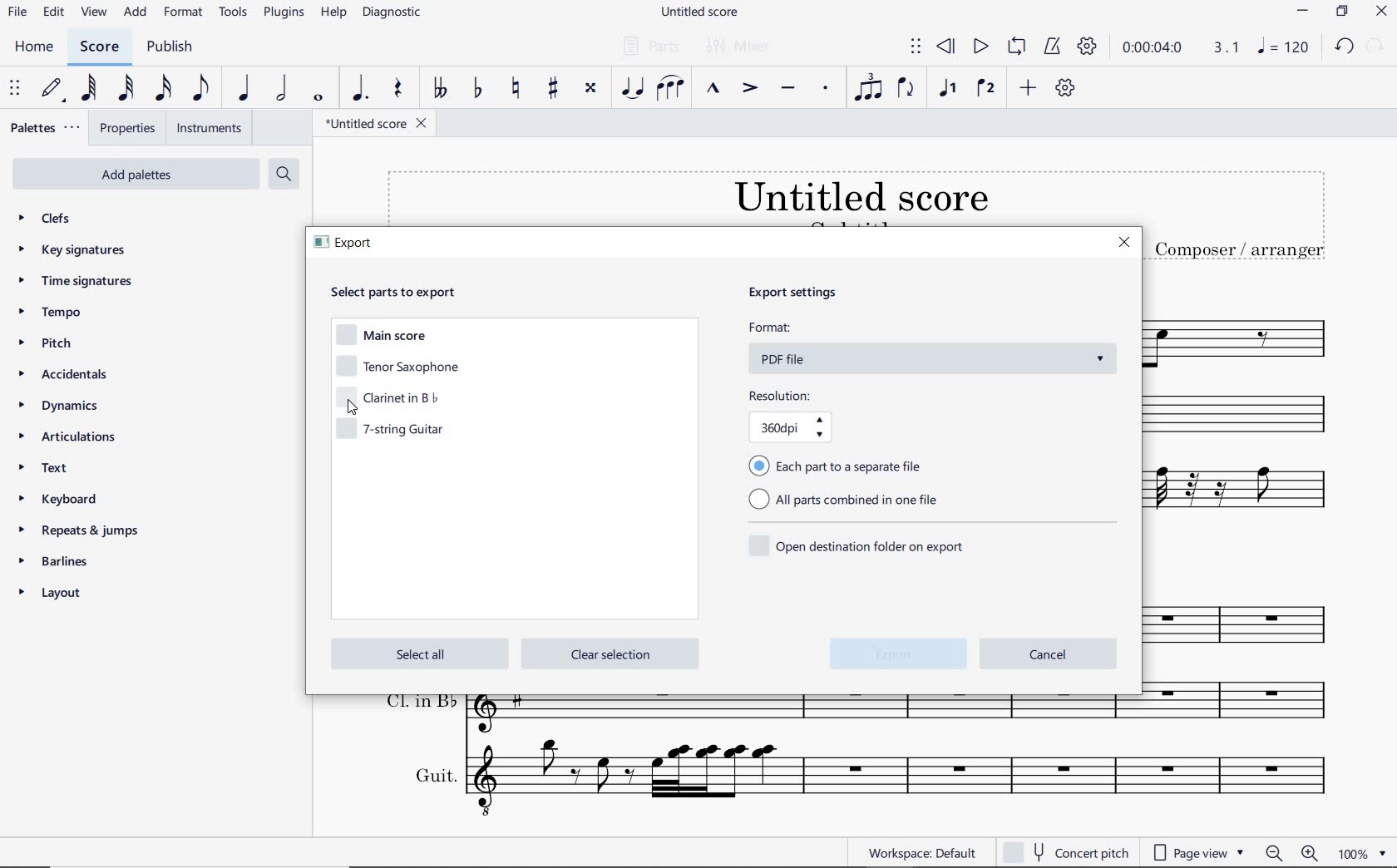 The width and height of the screenshot is (1397, 868). Describe the element at coordinates (949, 89) in the screenshot. I see `VOICE 1` at that location.